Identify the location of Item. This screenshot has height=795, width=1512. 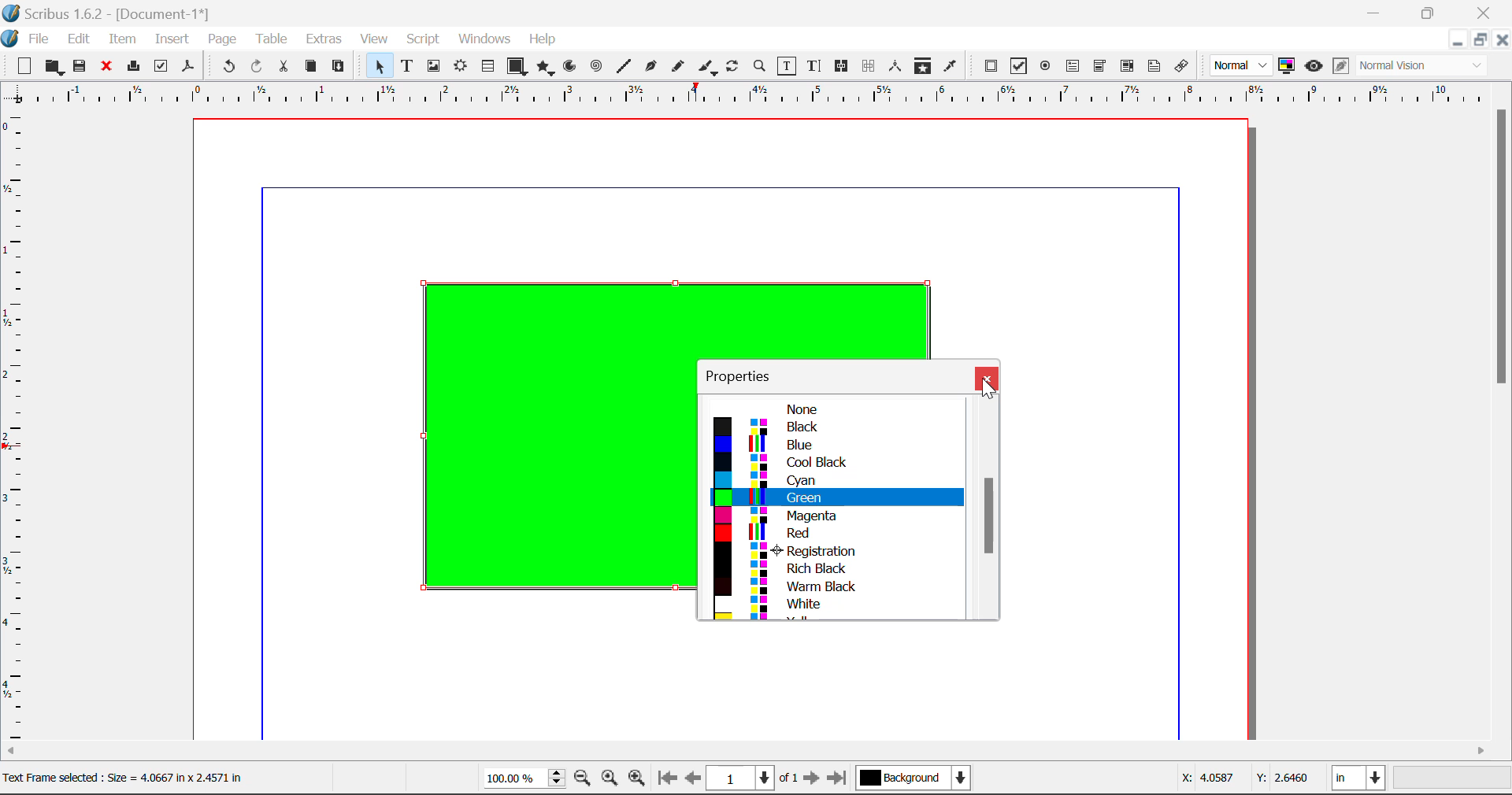
(120, 37).